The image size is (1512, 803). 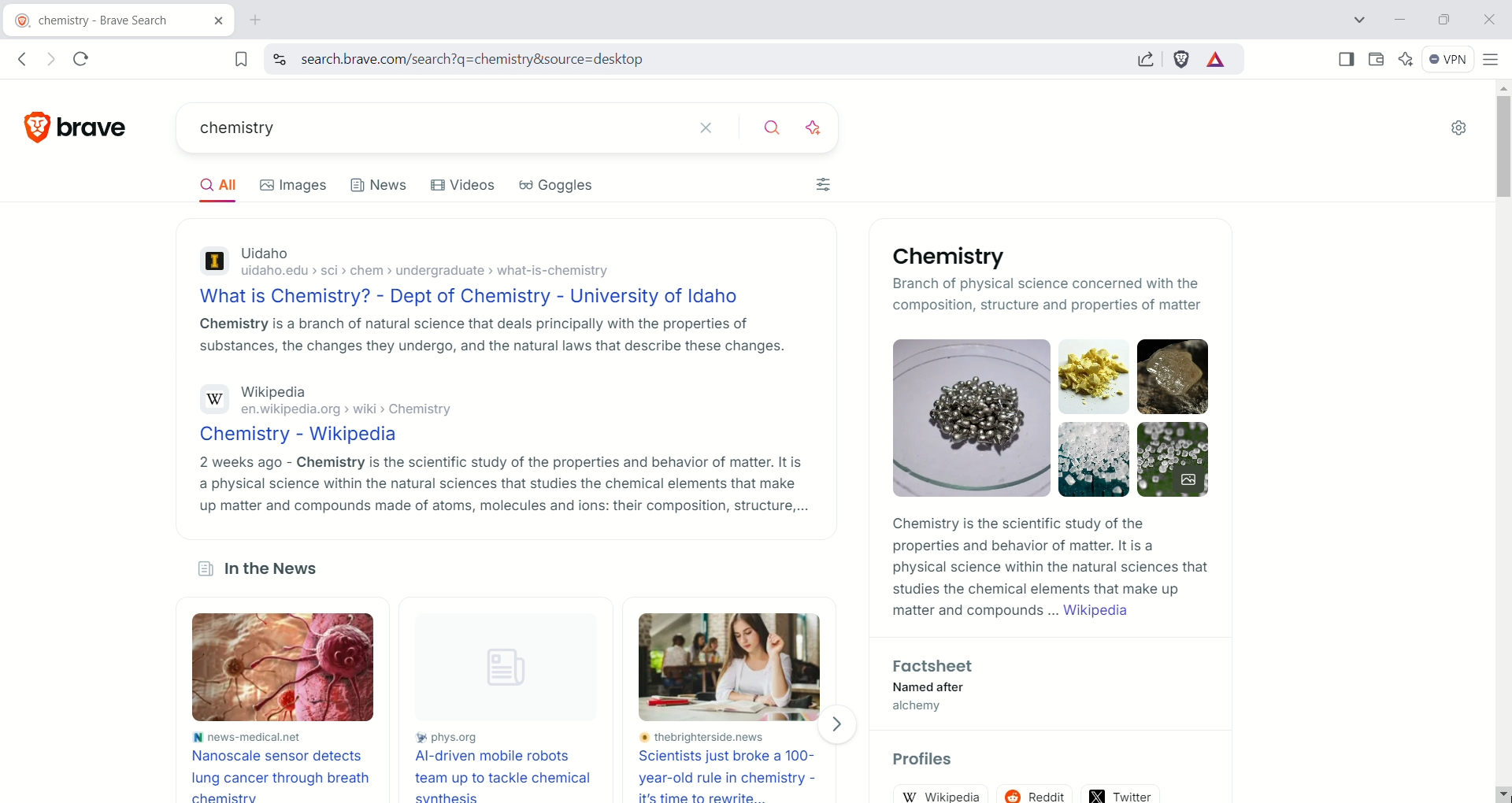 What do you see at coordinates (1373, 57) in the screenshot?
I see `wallet` at bounding box center [1373, 57].